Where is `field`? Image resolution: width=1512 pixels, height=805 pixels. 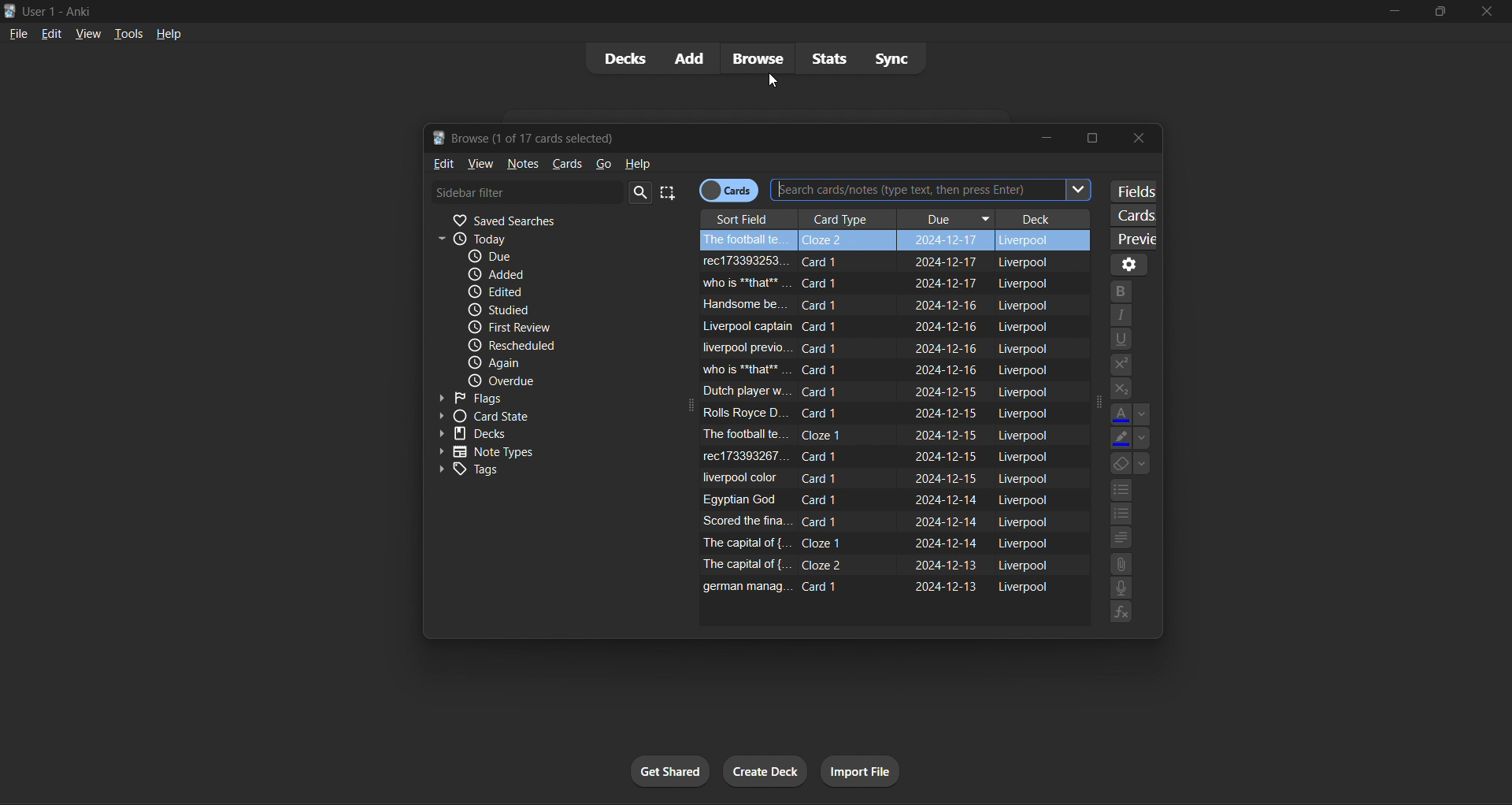 field is located at coordinates (749, 566).